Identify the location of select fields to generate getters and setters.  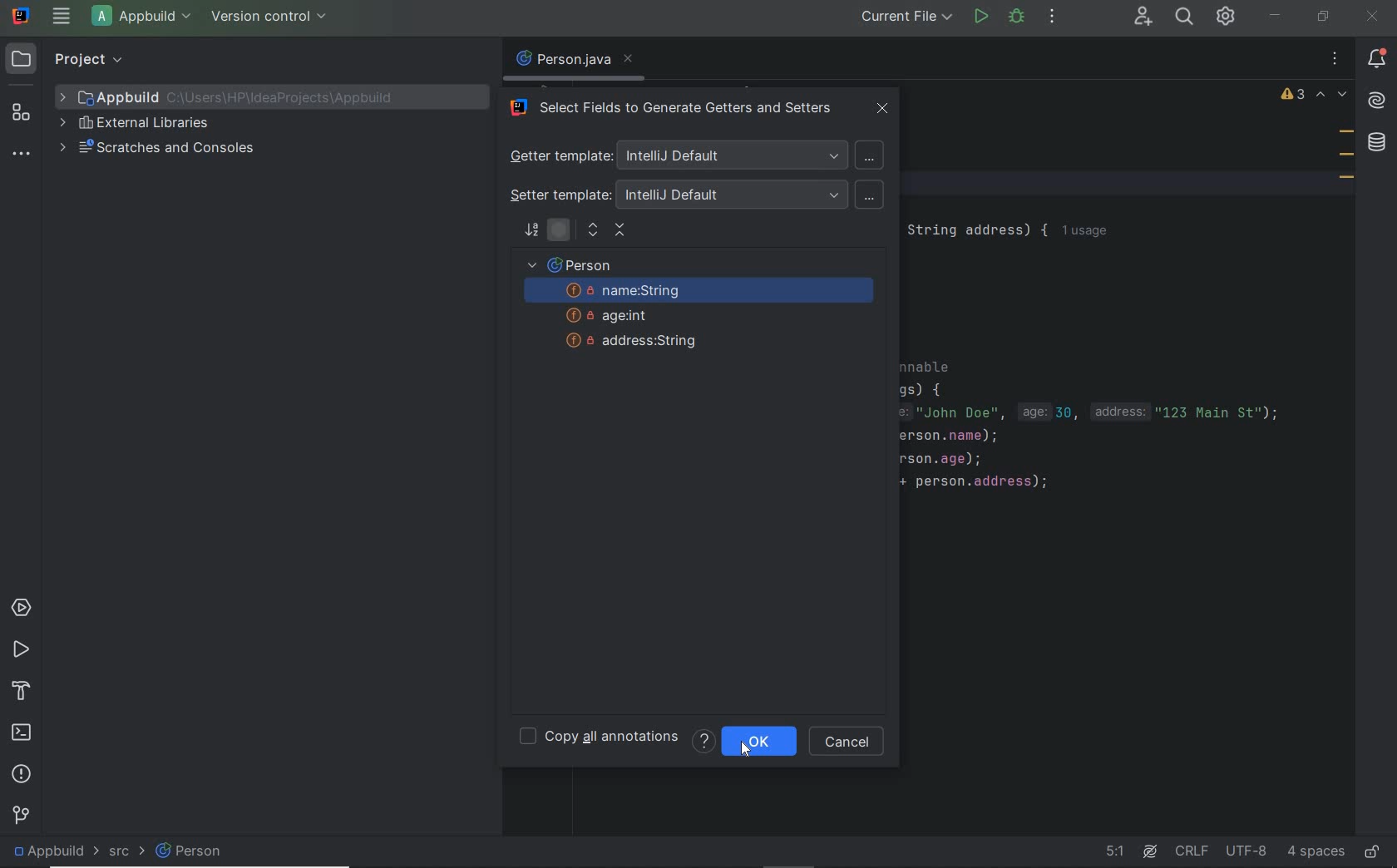
(673, 110).